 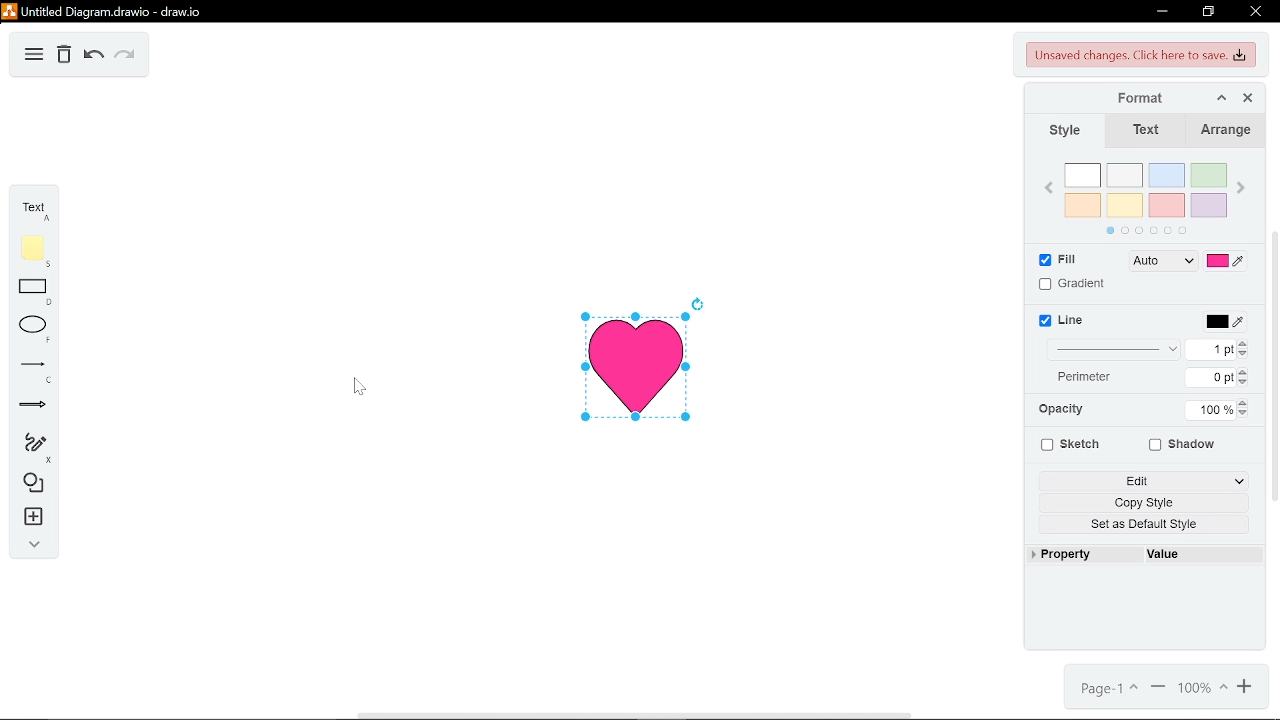 What do you see at coordinates (1246, 687) in the screenshot?
I see `zoom in` at bounding box center [1246, 687].